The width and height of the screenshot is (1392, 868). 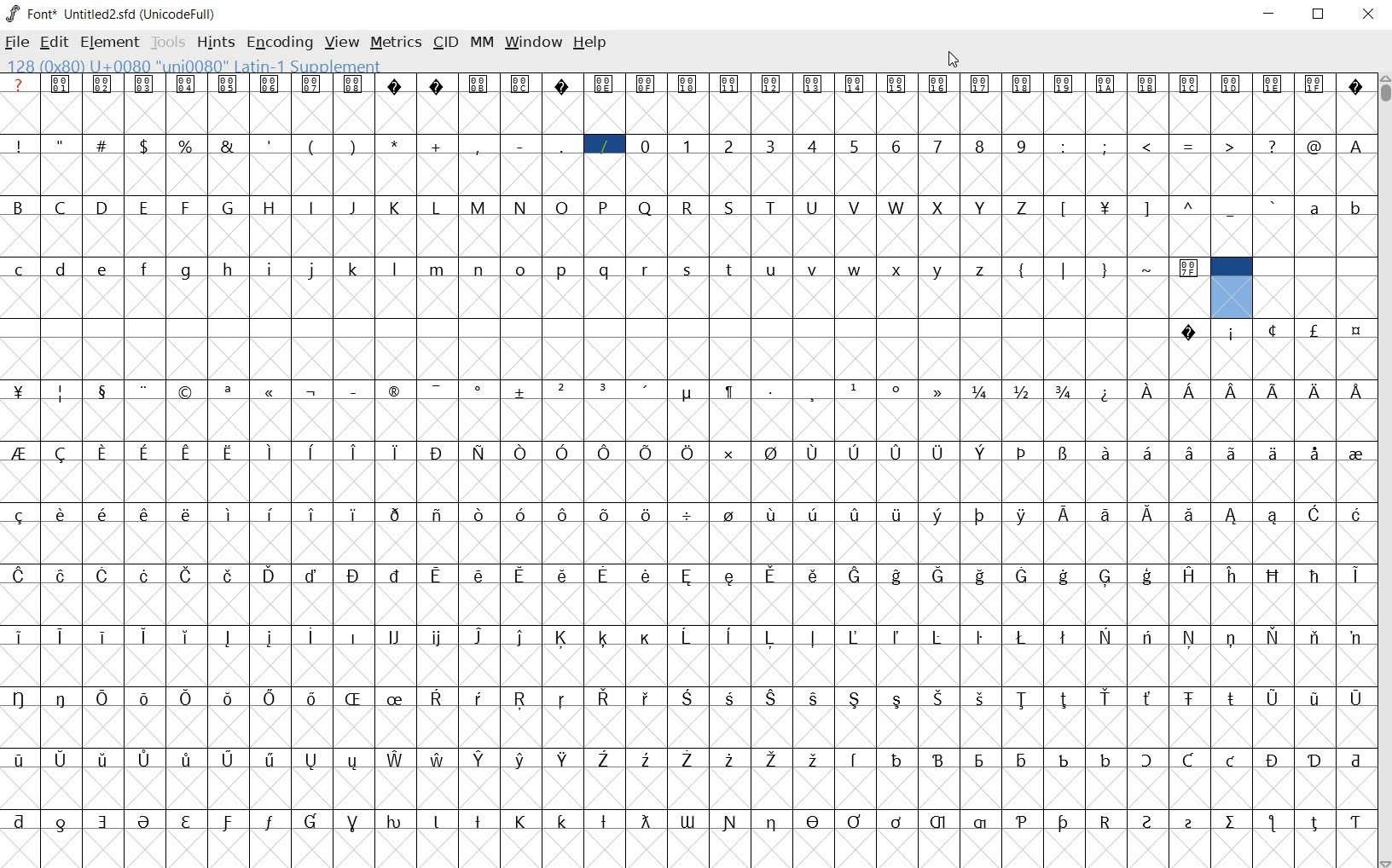 What do you see at coordinates (479, 206) in the screenshot?
I see `M` at bounding box center [479, 206].